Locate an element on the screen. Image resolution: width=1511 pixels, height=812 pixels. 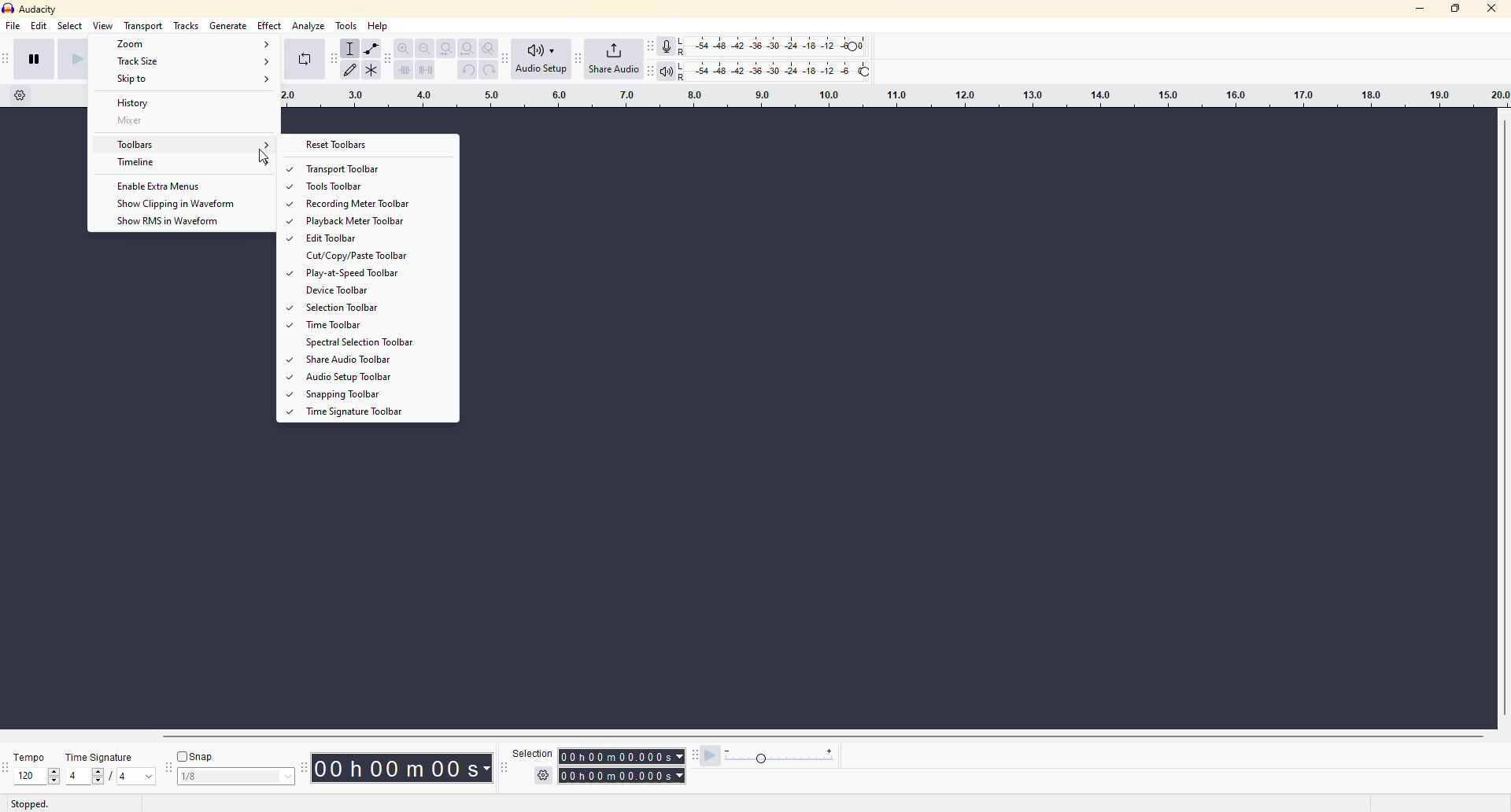
draw tool is located at coordinates (352, 70).